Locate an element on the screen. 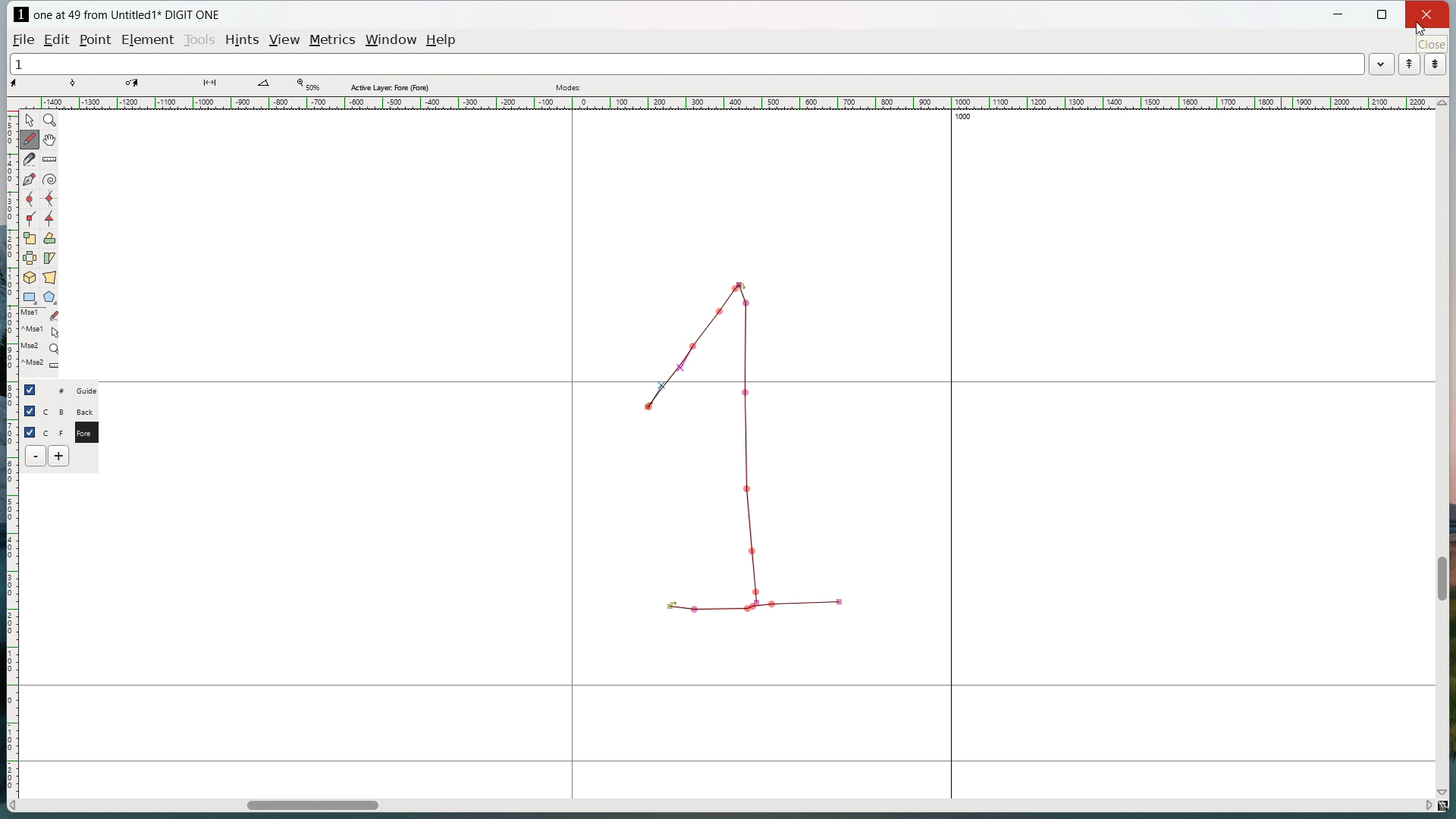 The width and height of the screenshot is (1456, 819). scroll left is located at coordinates (14, 806).